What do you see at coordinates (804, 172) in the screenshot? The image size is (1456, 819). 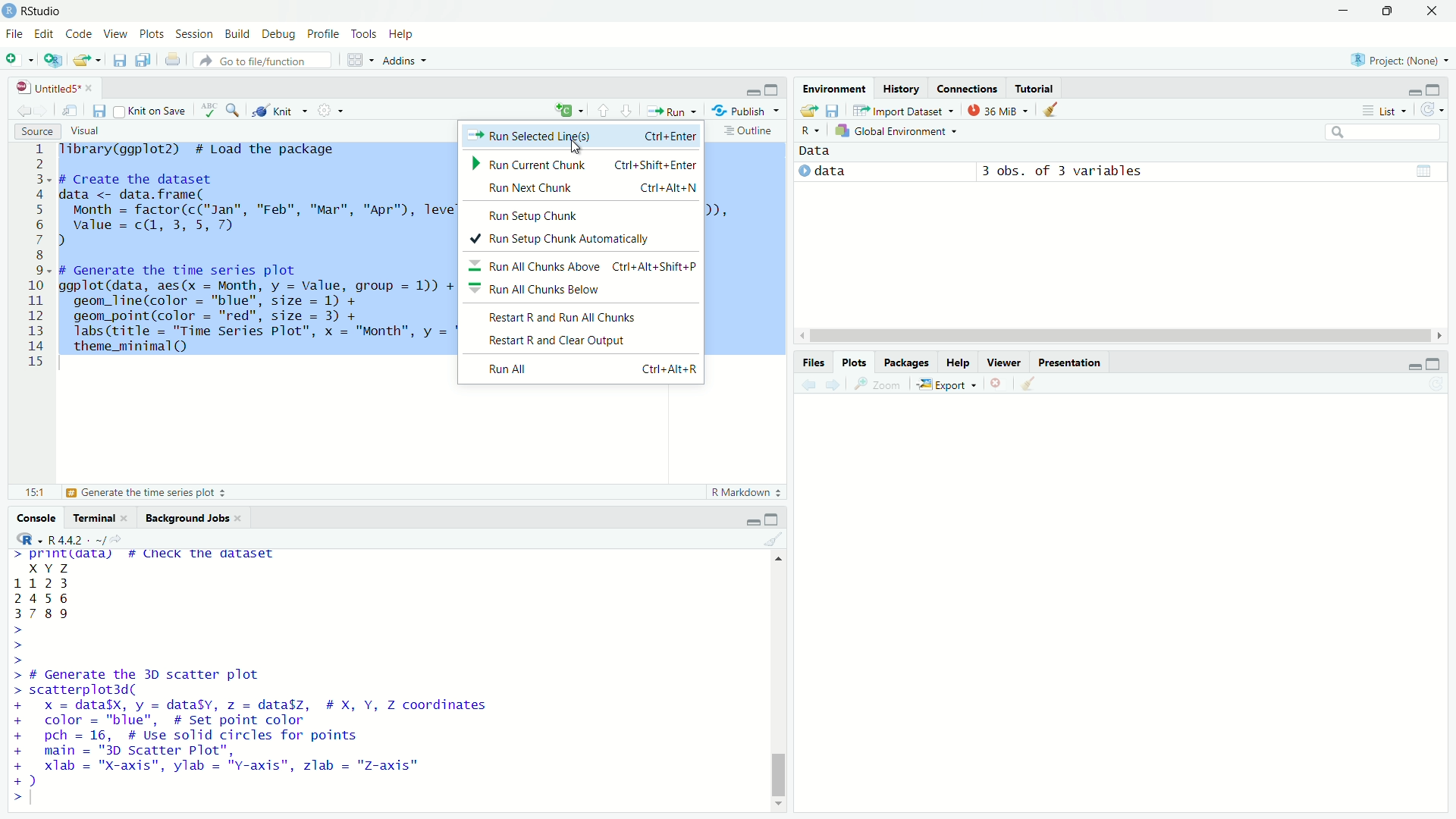 I see `play` at bounding box center [804, 172].